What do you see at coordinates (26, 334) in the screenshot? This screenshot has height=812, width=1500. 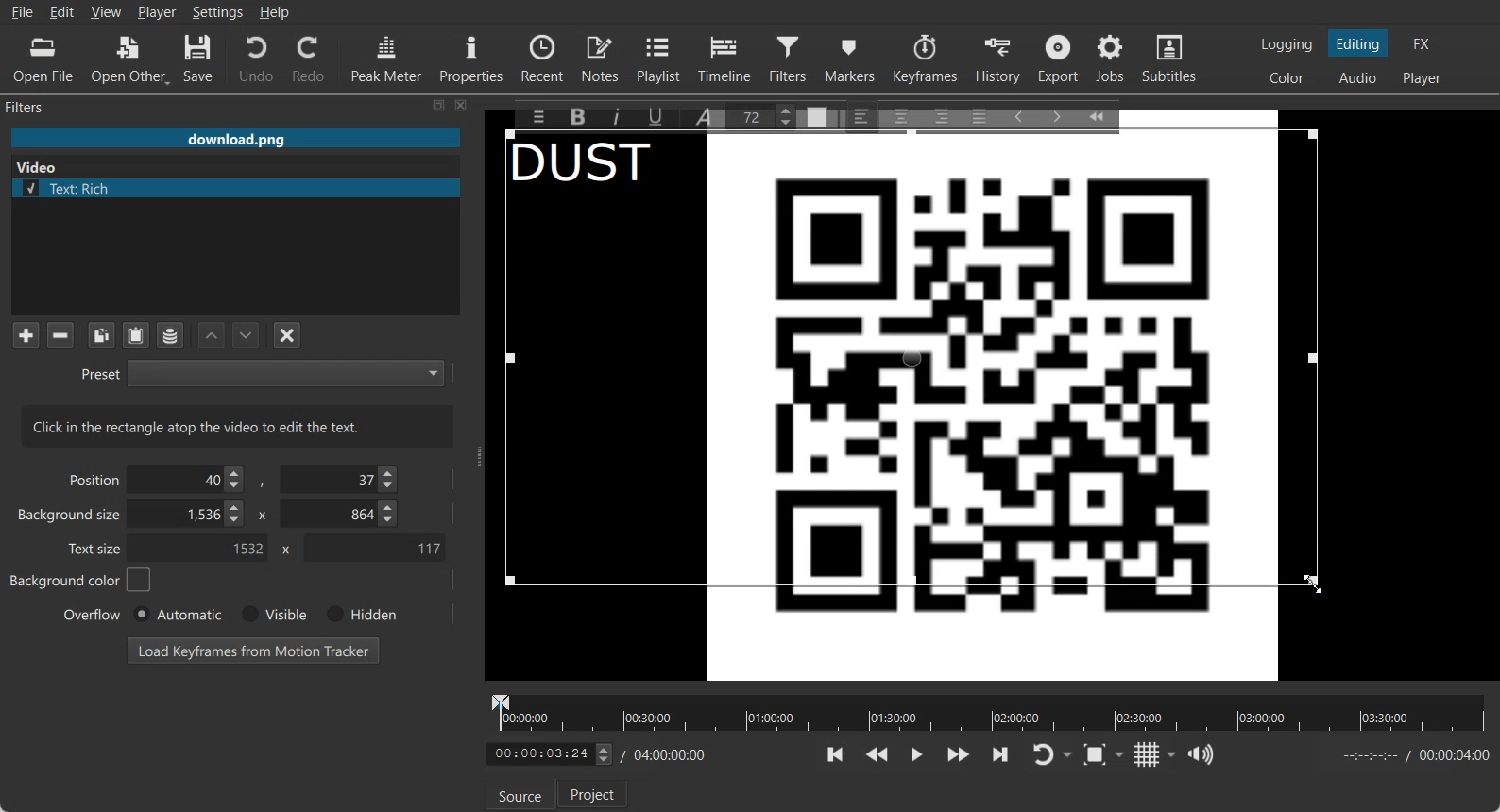 I see `Add a filter` at bounding box center [26, 334].